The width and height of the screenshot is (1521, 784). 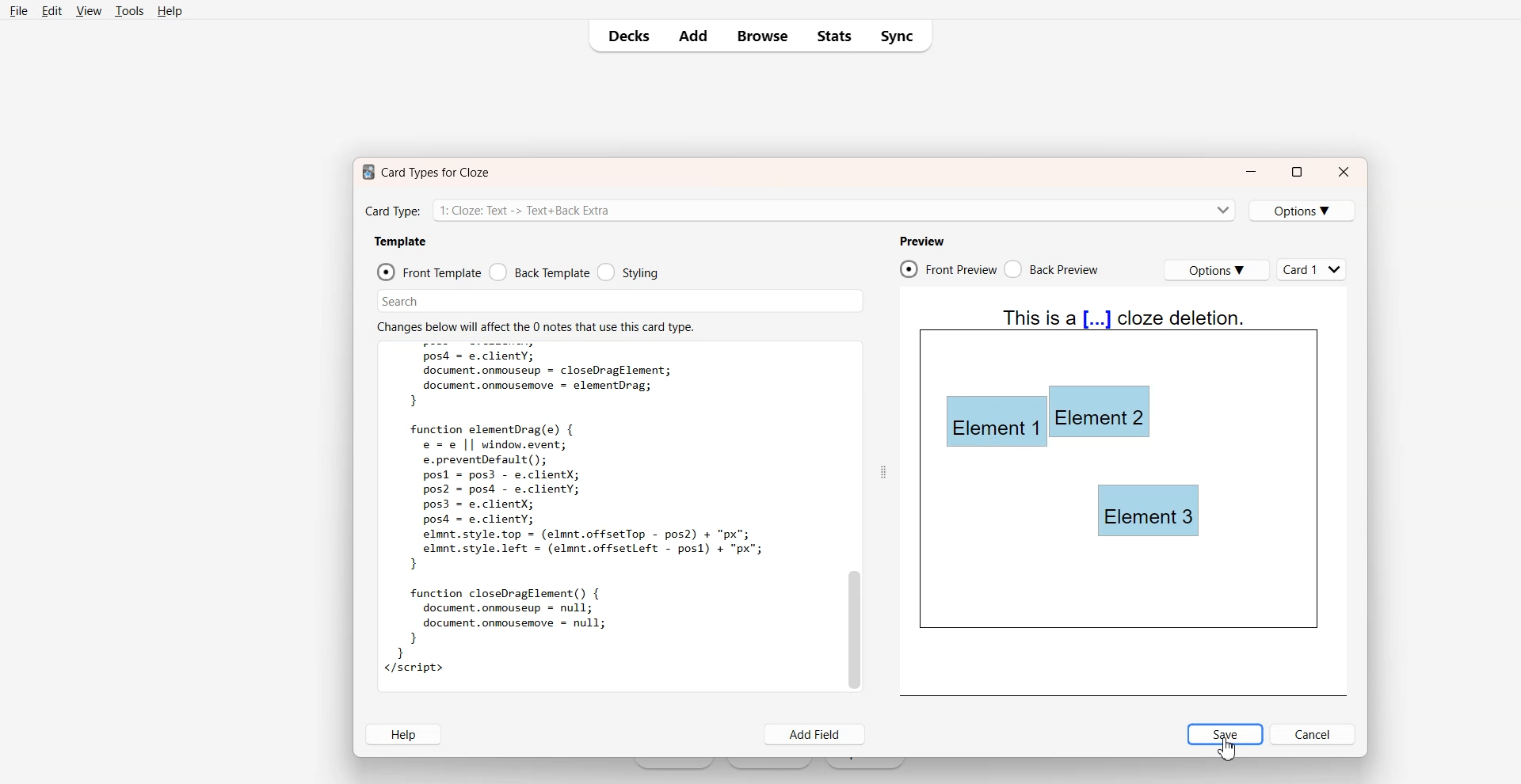 What do you see at coordinates (1216, 270) in the screenshot?
I see `Options` at bounding box center [1216, 270].